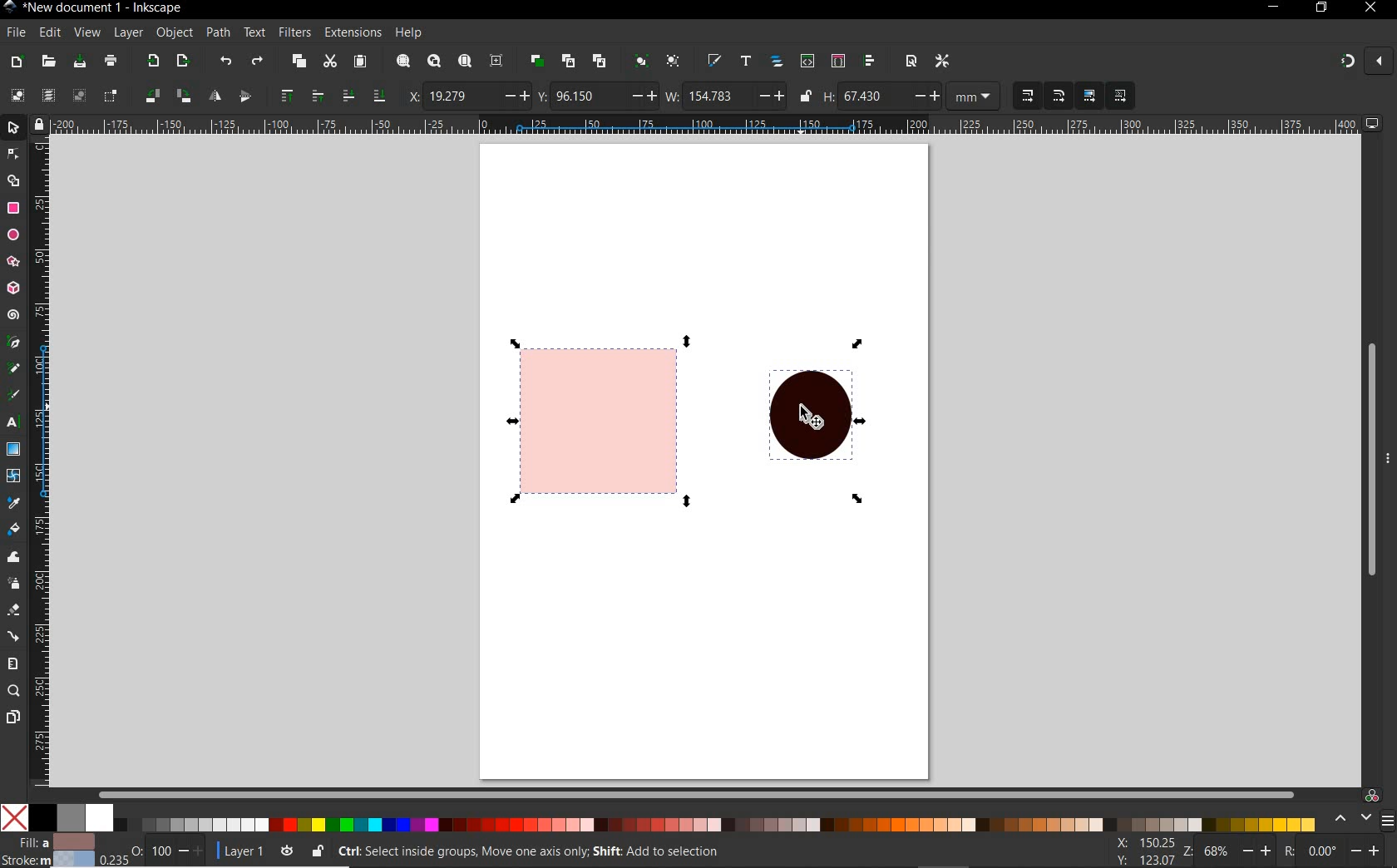 This screenshot has width=1397, height=868. I want to click on close, so click(1369, 8).